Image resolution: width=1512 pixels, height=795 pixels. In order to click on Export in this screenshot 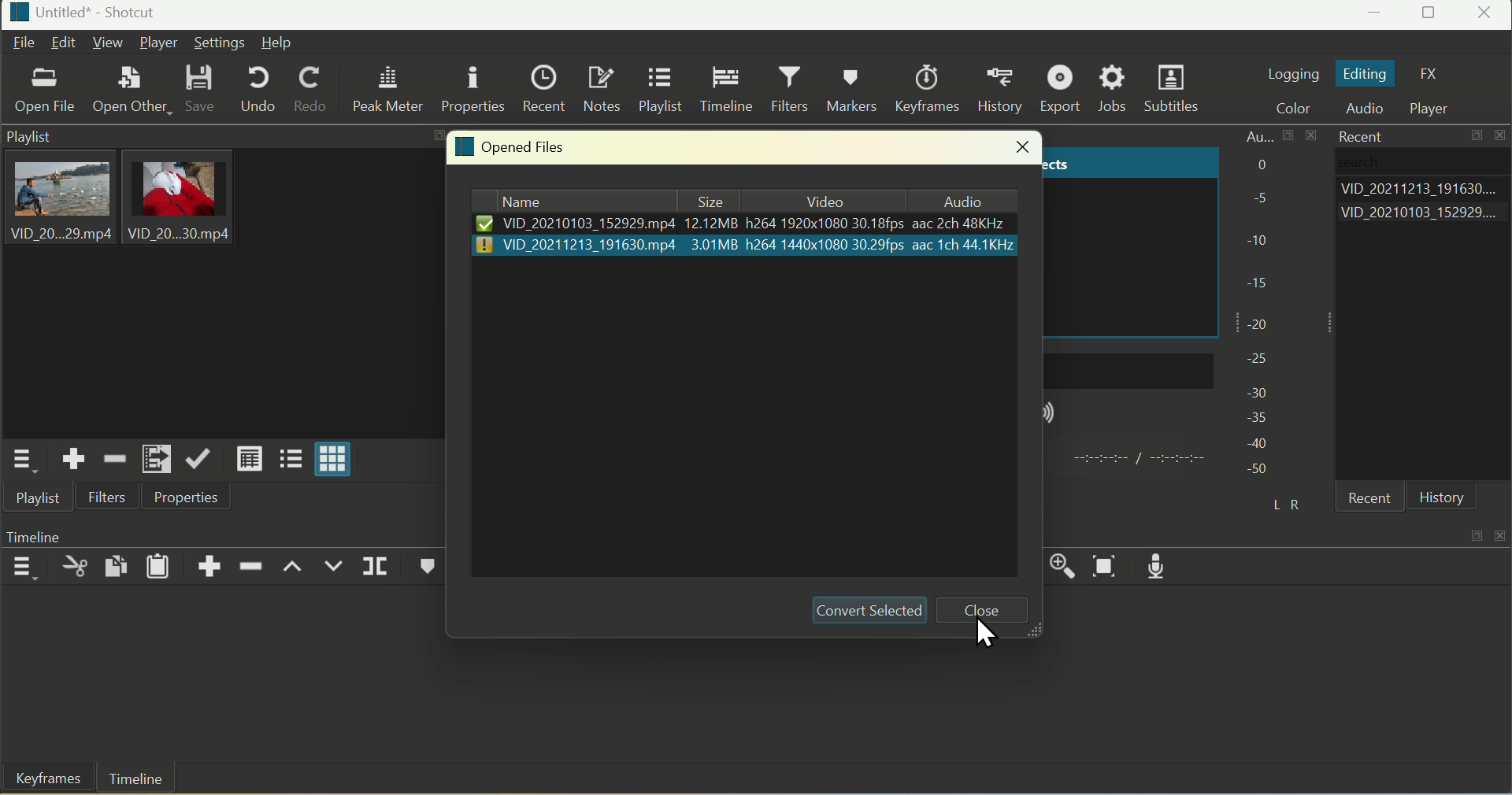, I will do `click(1063, 88)`.